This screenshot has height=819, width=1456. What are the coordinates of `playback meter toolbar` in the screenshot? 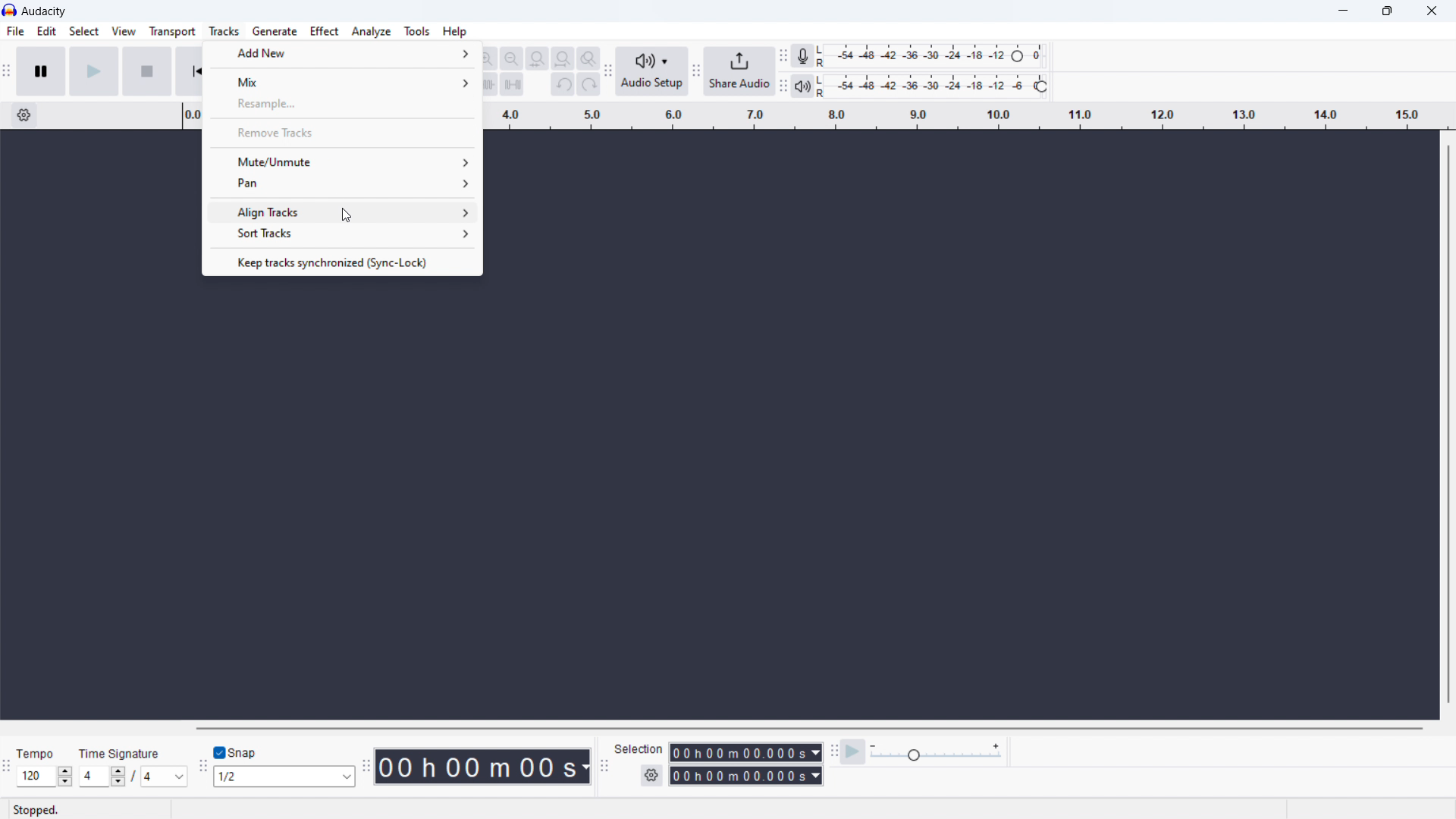 It's located at (783, 86).